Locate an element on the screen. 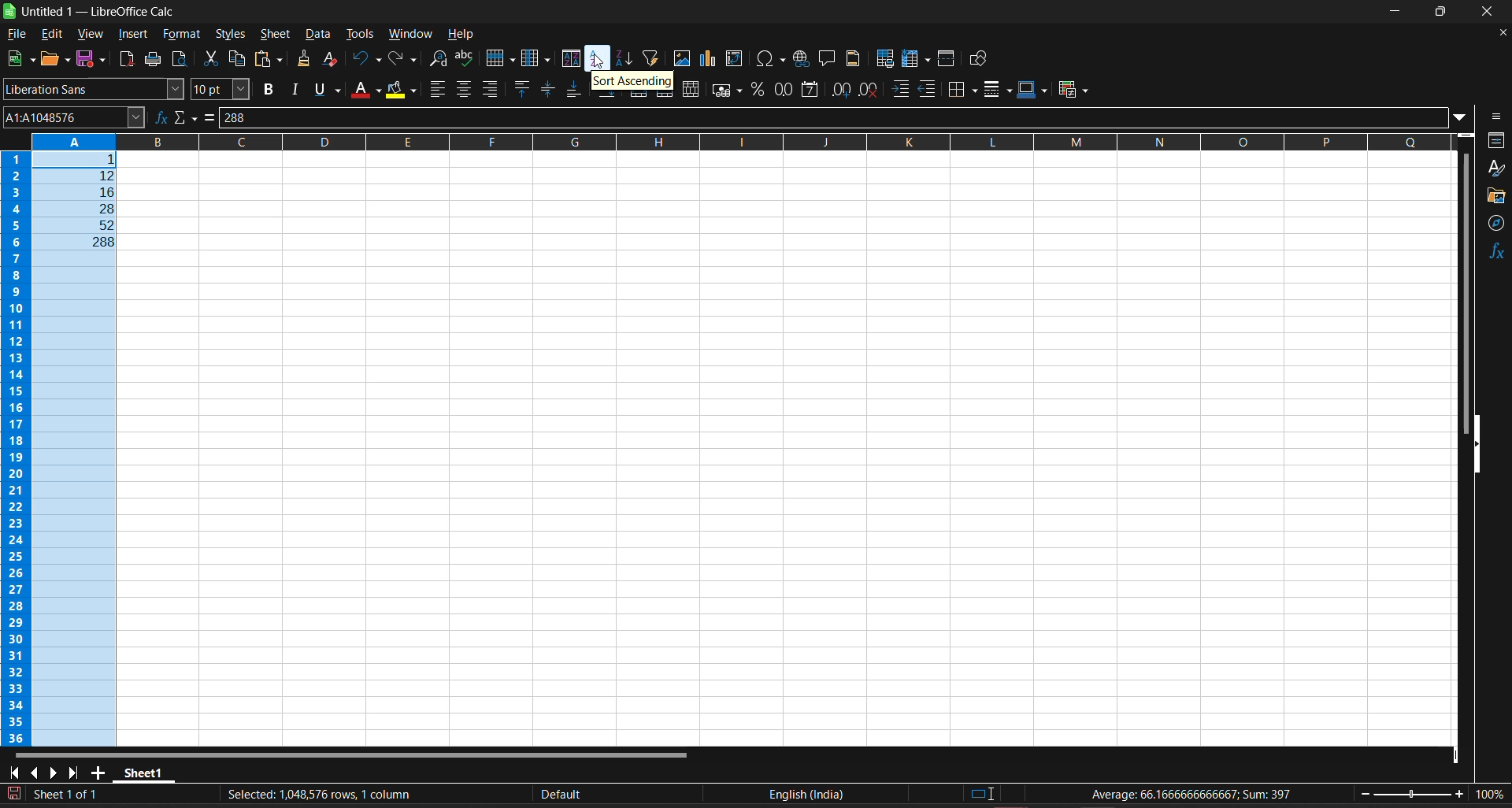 The image size is (1512, 808). format as date is located at coordinates (808, 90).